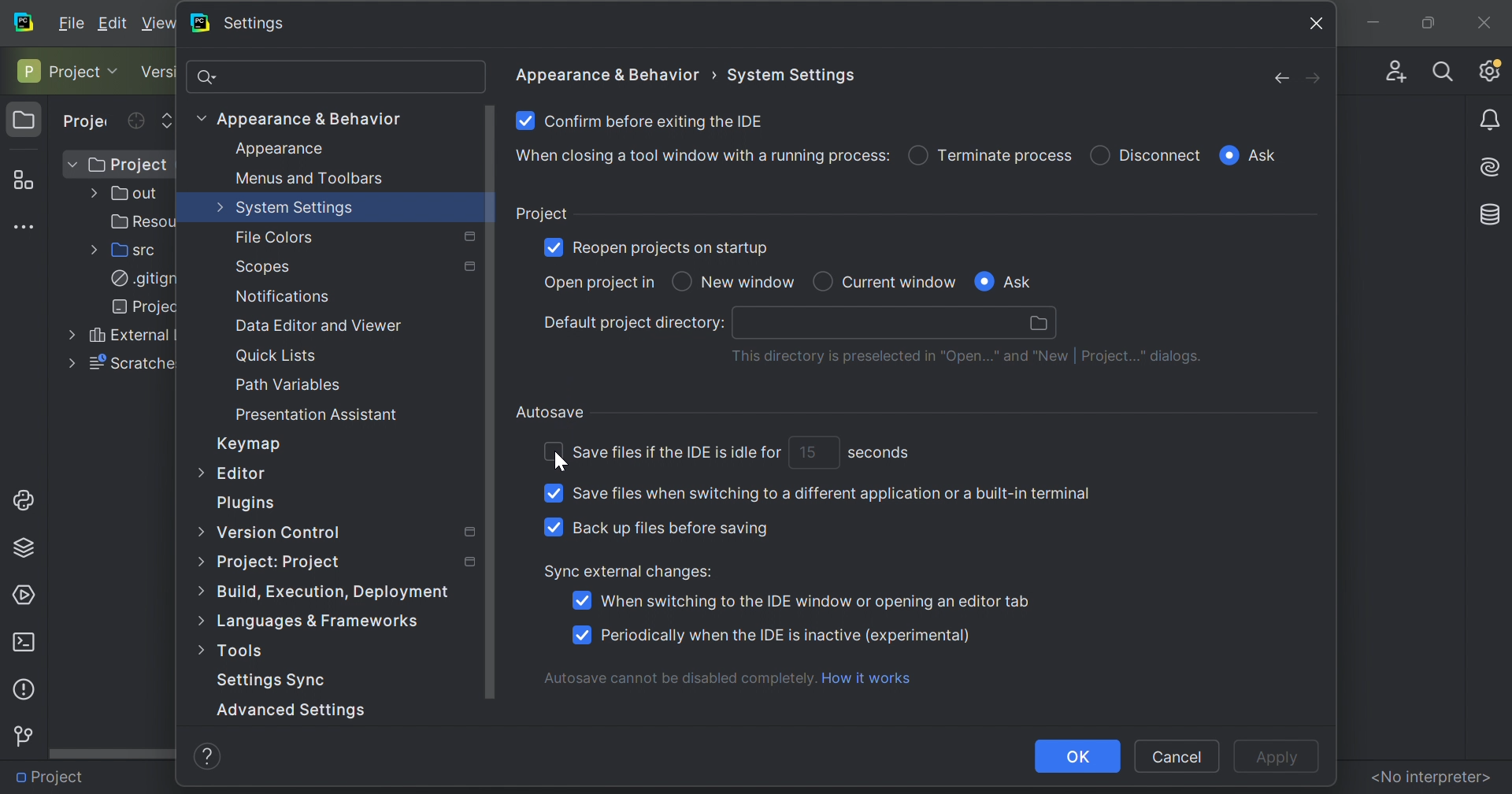 The image size is (1512, 794). I want to click on Problems, so click(22, 688).